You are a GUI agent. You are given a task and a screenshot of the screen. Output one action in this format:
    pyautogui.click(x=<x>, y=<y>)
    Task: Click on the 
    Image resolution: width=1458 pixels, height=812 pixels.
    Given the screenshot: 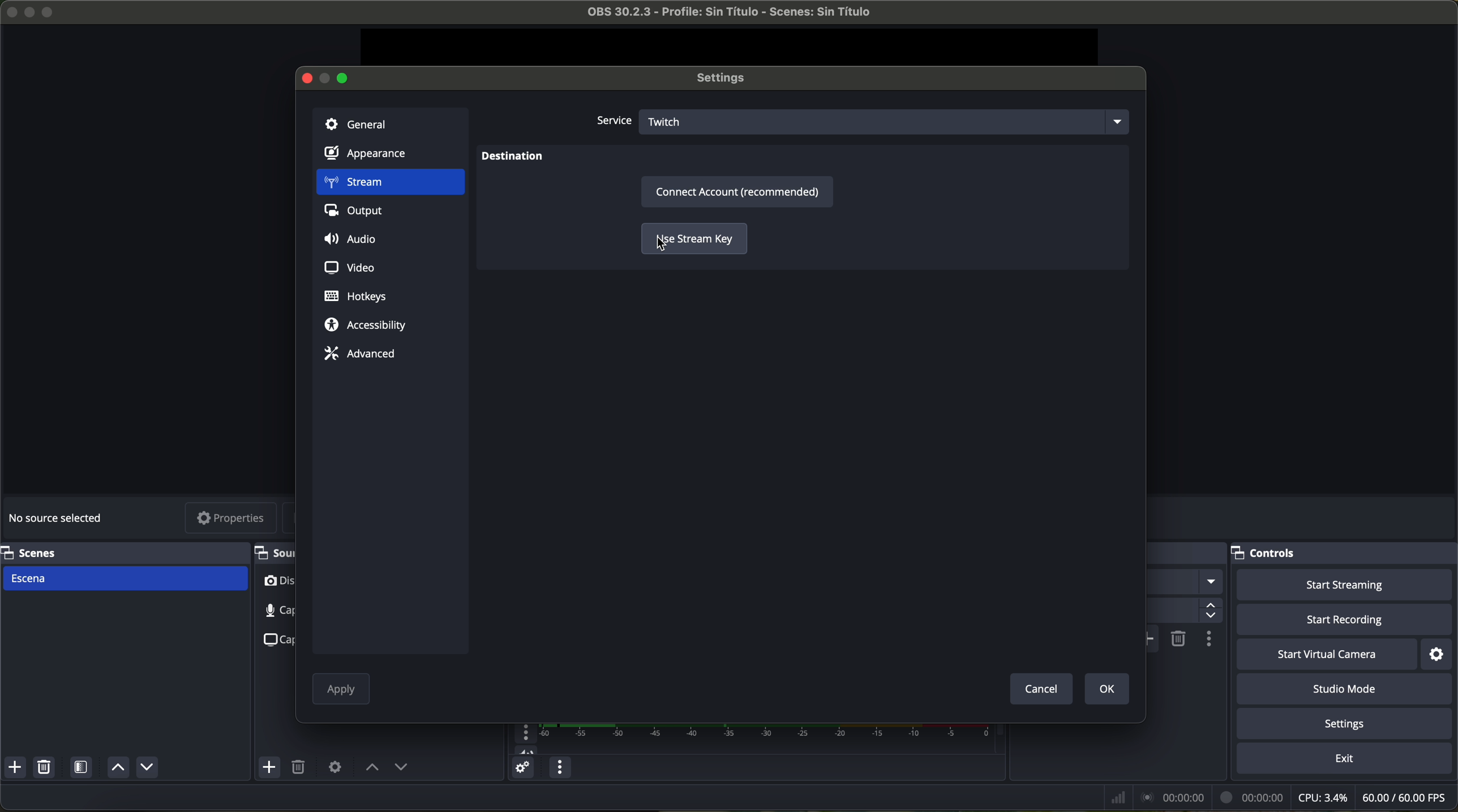 What is the action you would take?
    pyautogui.click(x=1187, y=553)
    